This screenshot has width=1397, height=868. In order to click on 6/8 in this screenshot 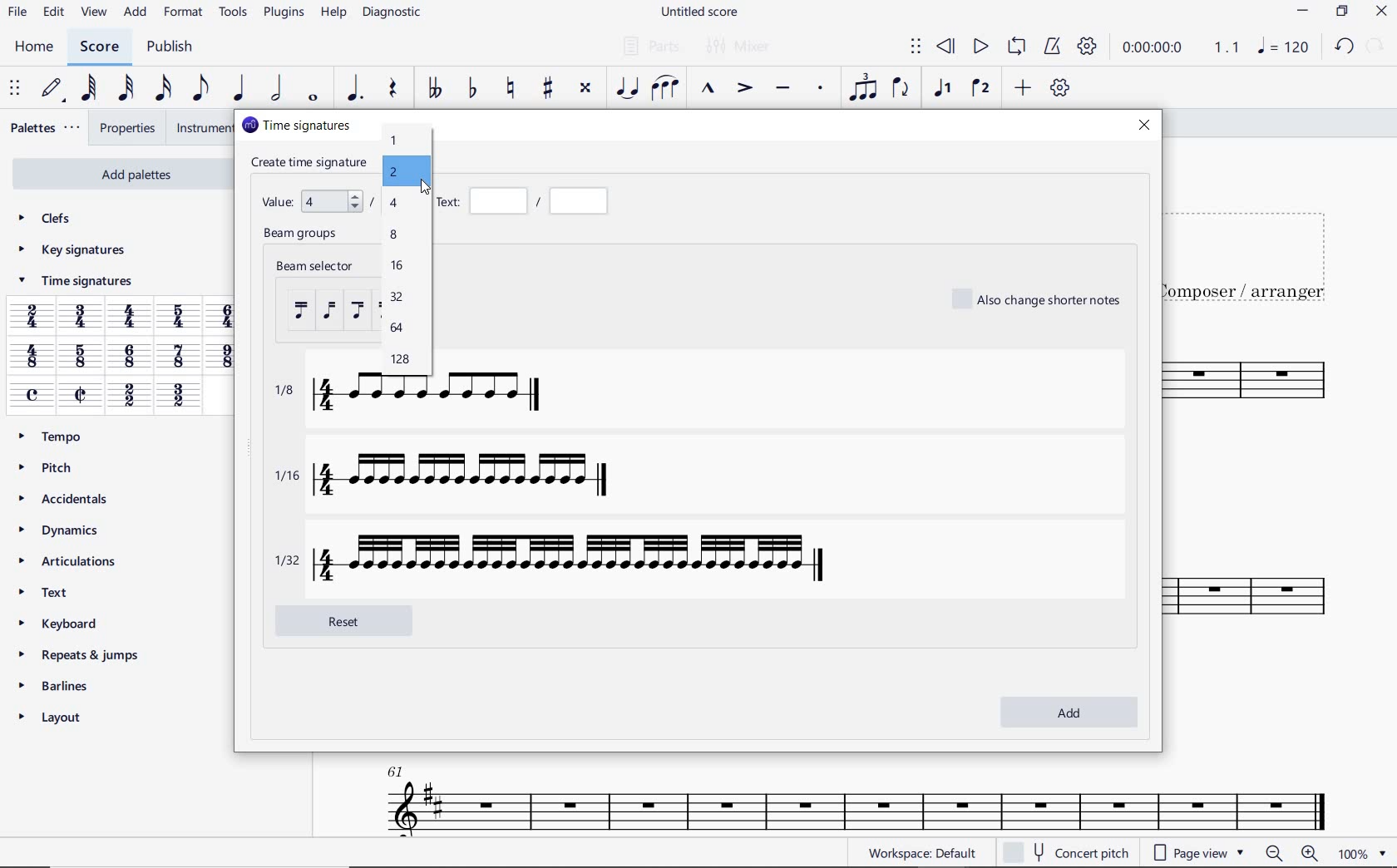, I will do `click(131, 357)`.